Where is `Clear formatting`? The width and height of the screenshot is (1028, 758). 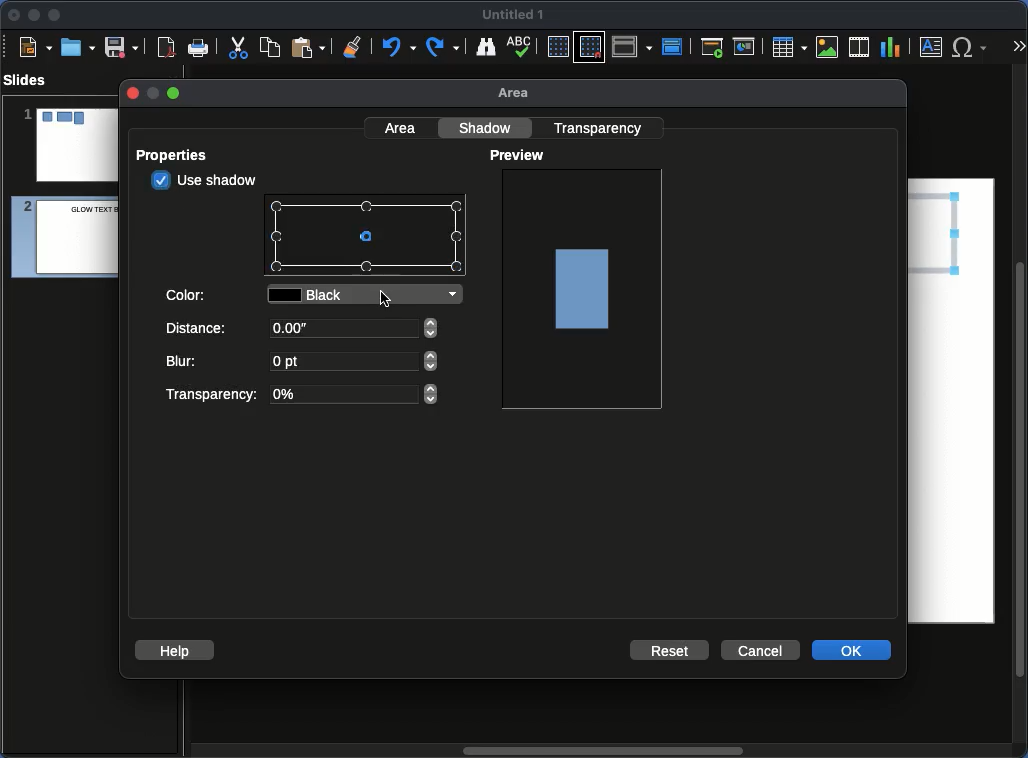
Clear formatting is located at coordinates (353, 45).